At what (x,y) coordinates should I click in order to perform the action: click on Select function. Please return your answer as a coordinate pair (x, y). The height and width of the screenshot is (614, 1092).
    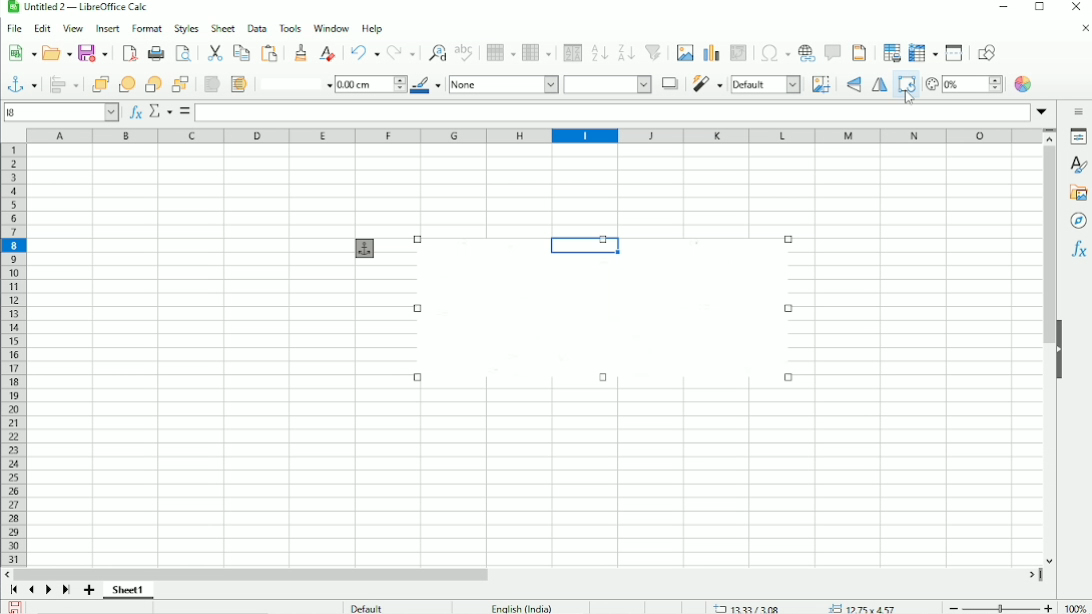
    Looking at the image, I should click on (159, 111).